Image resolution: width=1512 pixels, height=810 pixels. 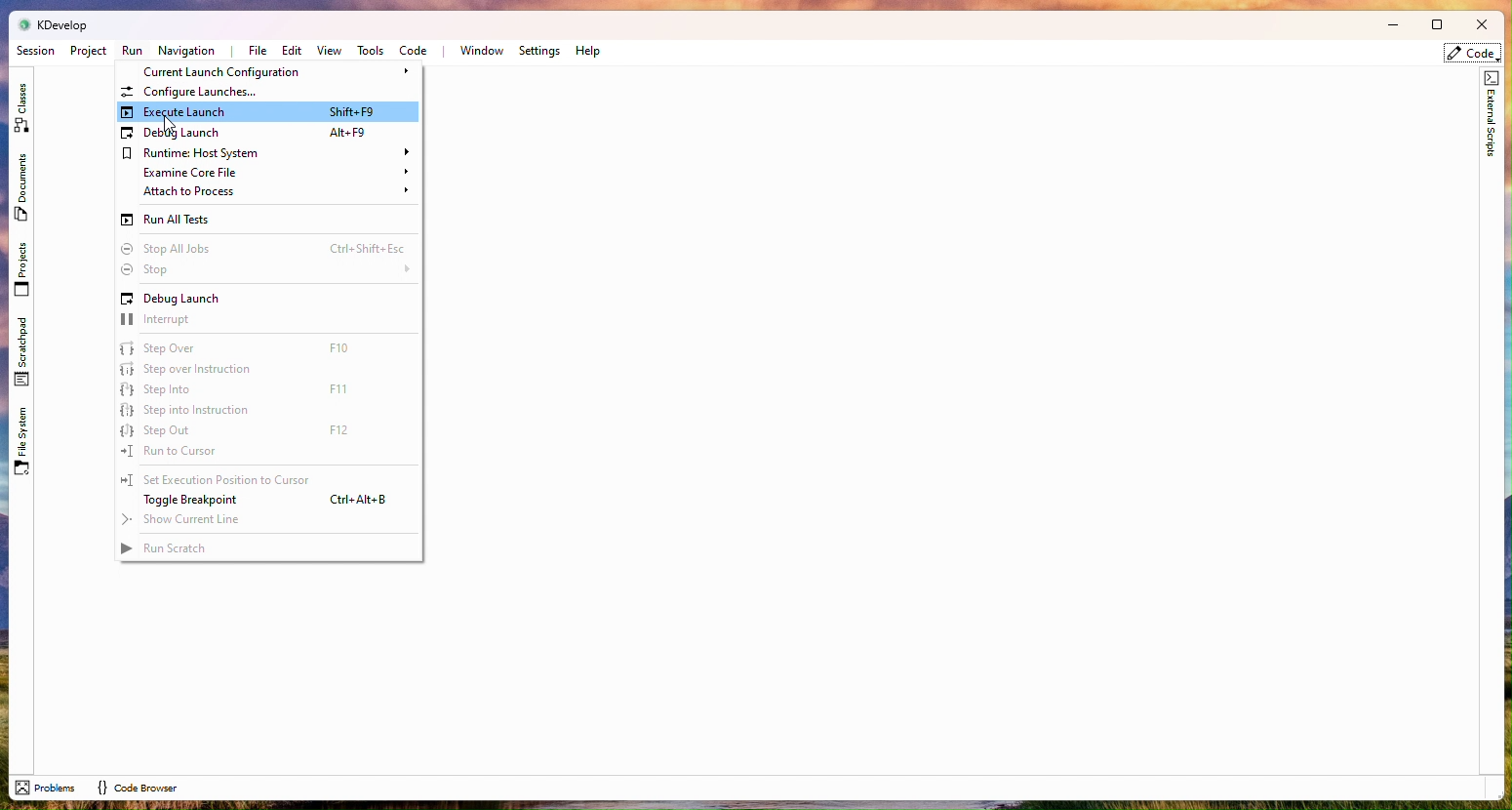 What do you see at coordinates (277, 192) in the screenshot?
I see `Attach to process` at bounding box center [277, 192].